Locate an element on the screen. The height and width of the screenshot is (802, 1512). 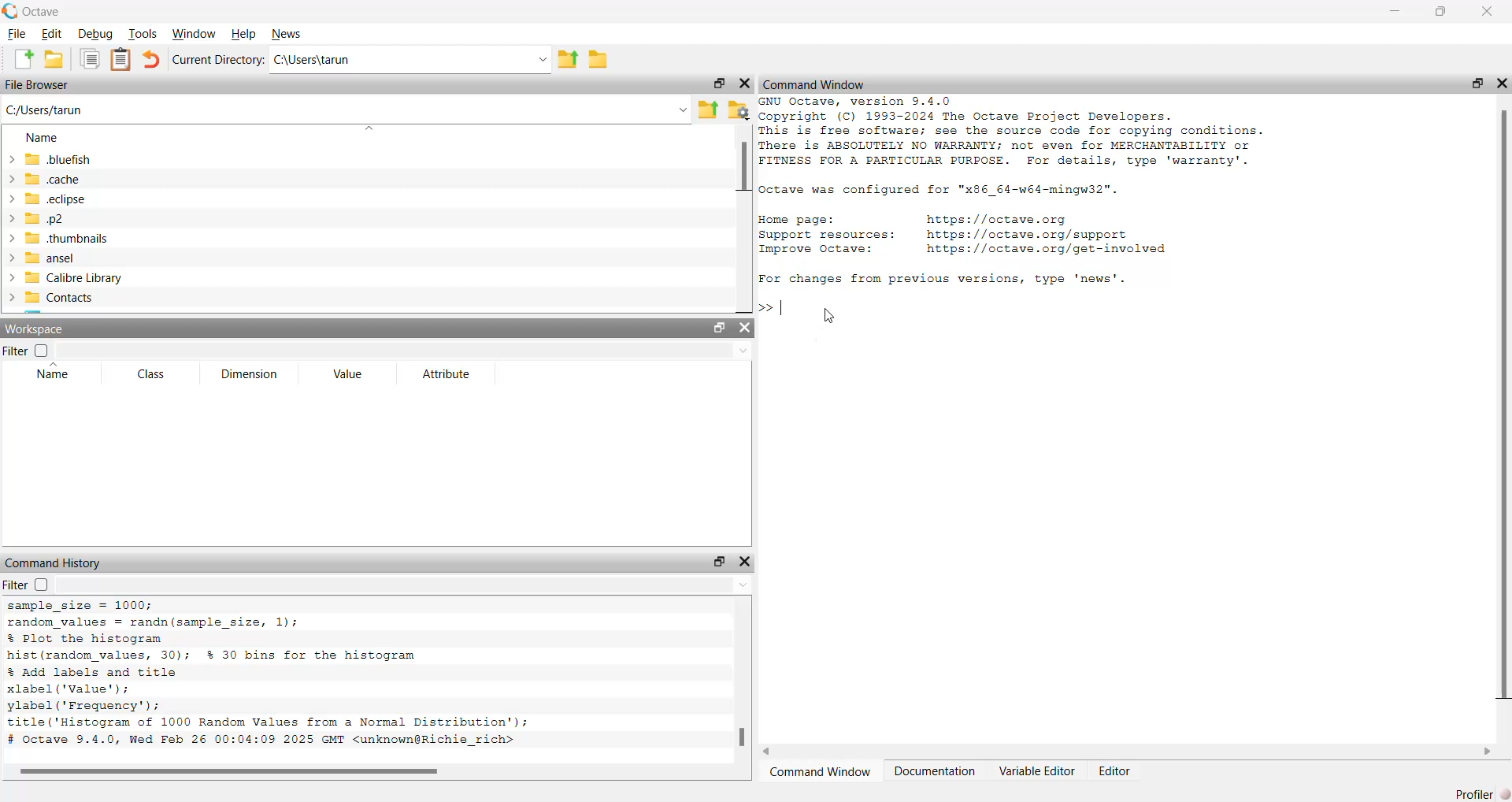
File Browser is located at coordinates (39, 85).